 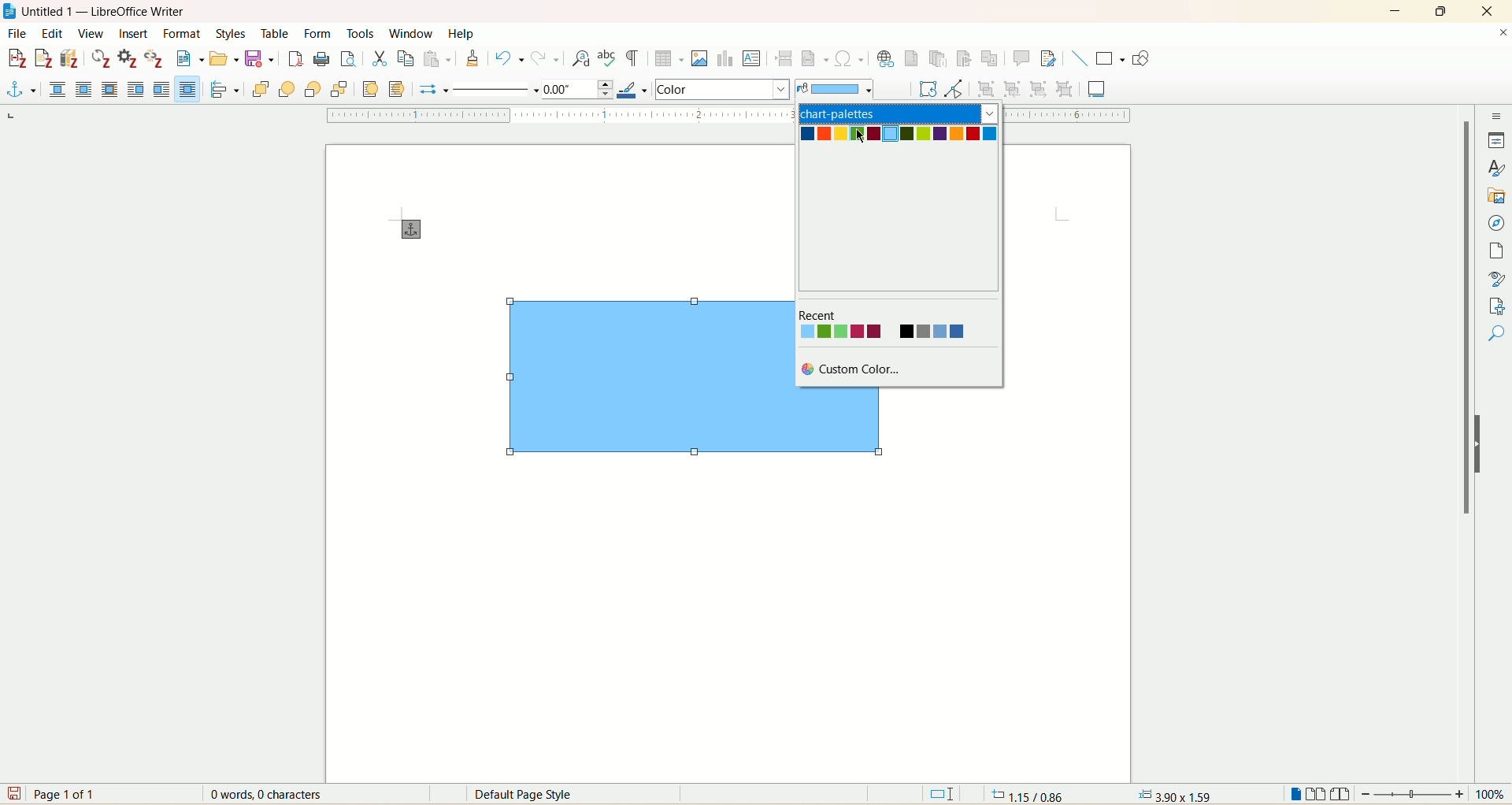 What do you see at coordinates (228, 90) in the screenshot?
I see `align object` at bounding box center [228, 90].